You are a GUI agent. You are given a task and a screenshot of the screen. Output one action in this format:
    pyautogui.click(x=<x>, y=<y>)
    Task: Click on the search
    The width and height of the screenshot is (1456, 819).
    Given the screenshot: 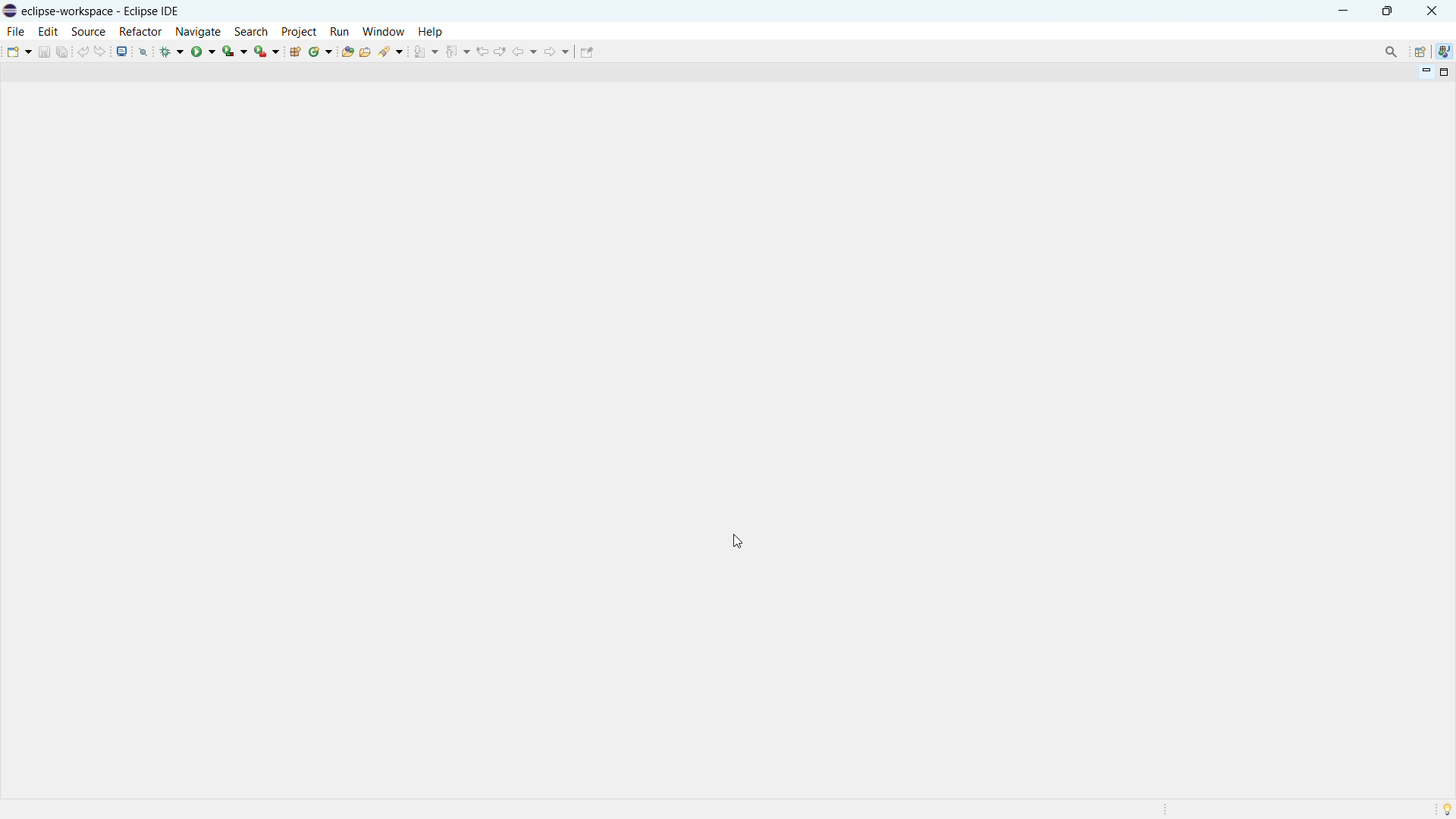 What is the action you would take?
    pyautogui.click(x=391, y=51)
    